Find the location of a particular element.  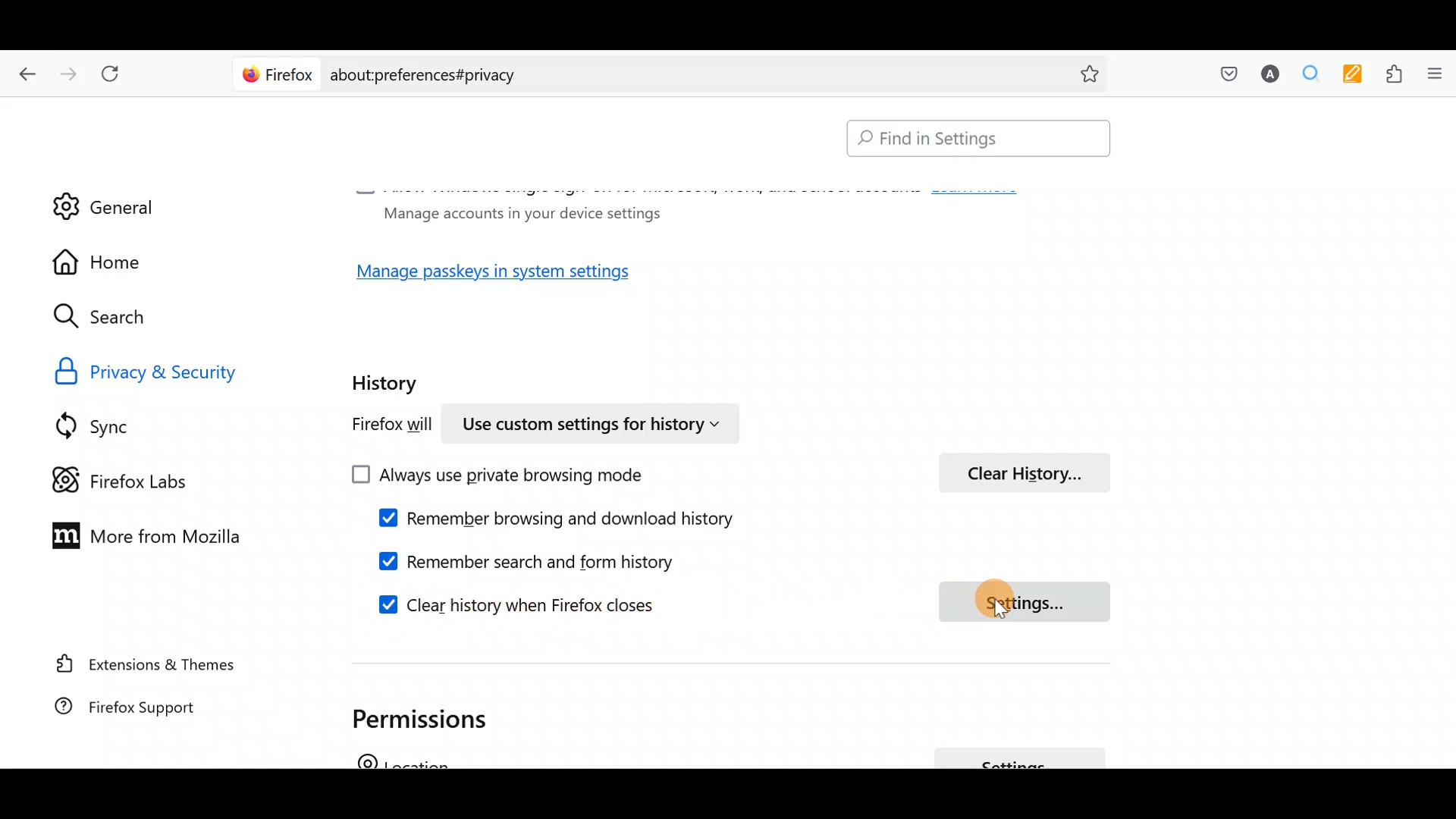

Sync is located at coordinates (113, 425).